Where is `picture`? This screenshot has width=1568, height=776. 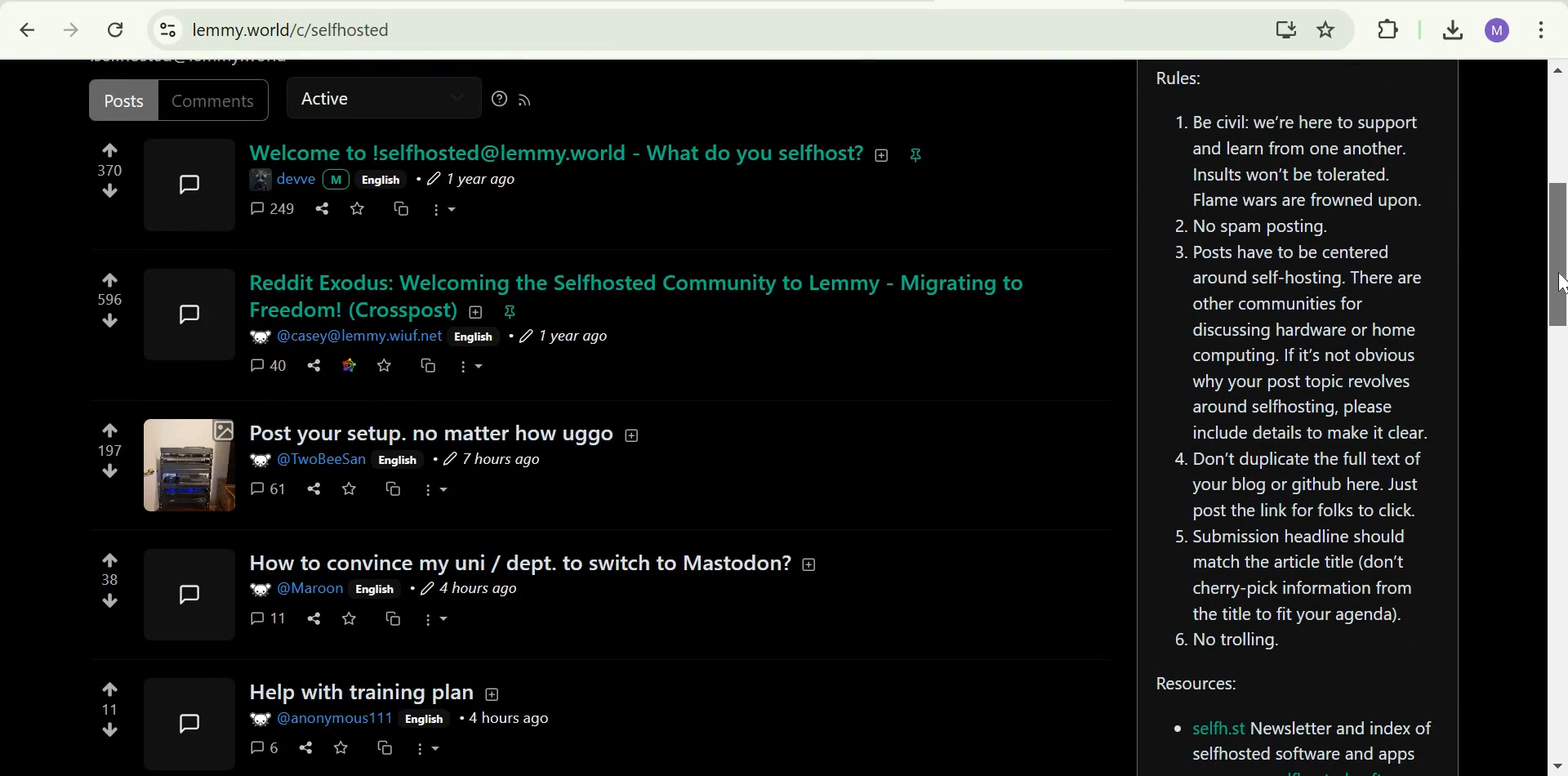
picture is located at coordinates (259, 335).